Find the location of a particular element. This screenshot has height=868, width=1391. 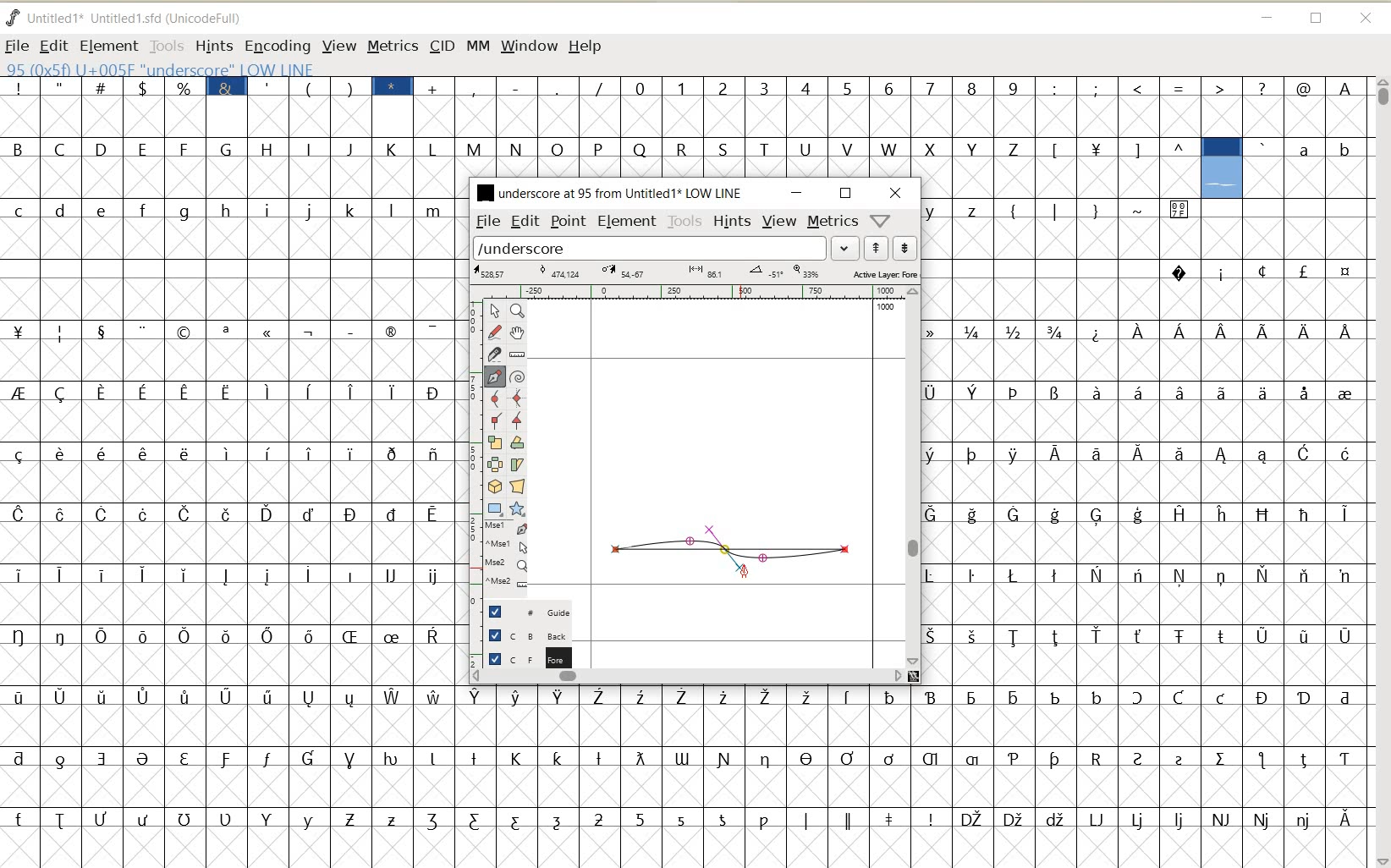

add a curve point always either horizontal or vertical is located at coordinates (518, 397).